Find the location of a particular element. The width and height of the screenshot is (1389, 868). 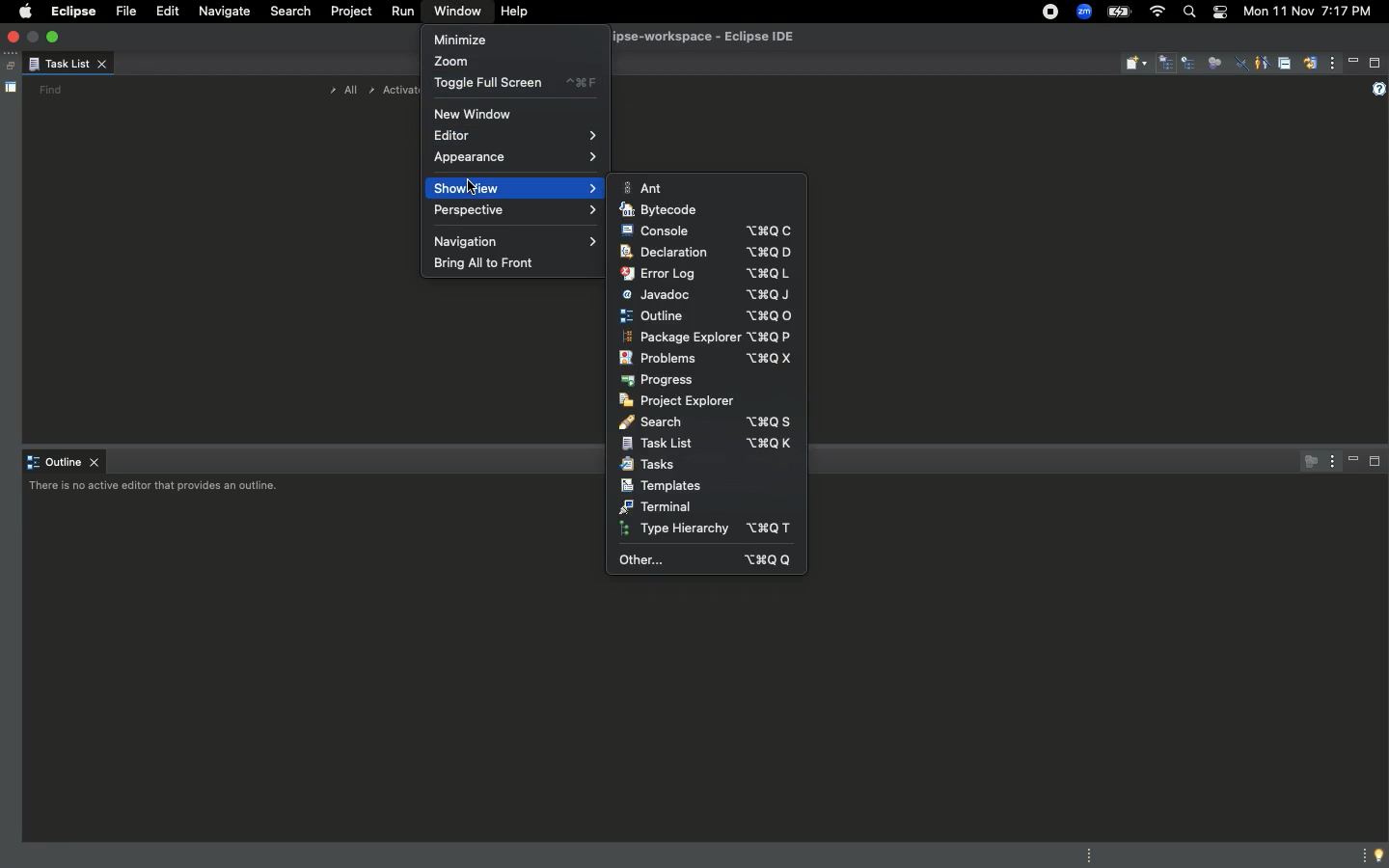

Focus on workweek is located at coordinates (1214, 61).